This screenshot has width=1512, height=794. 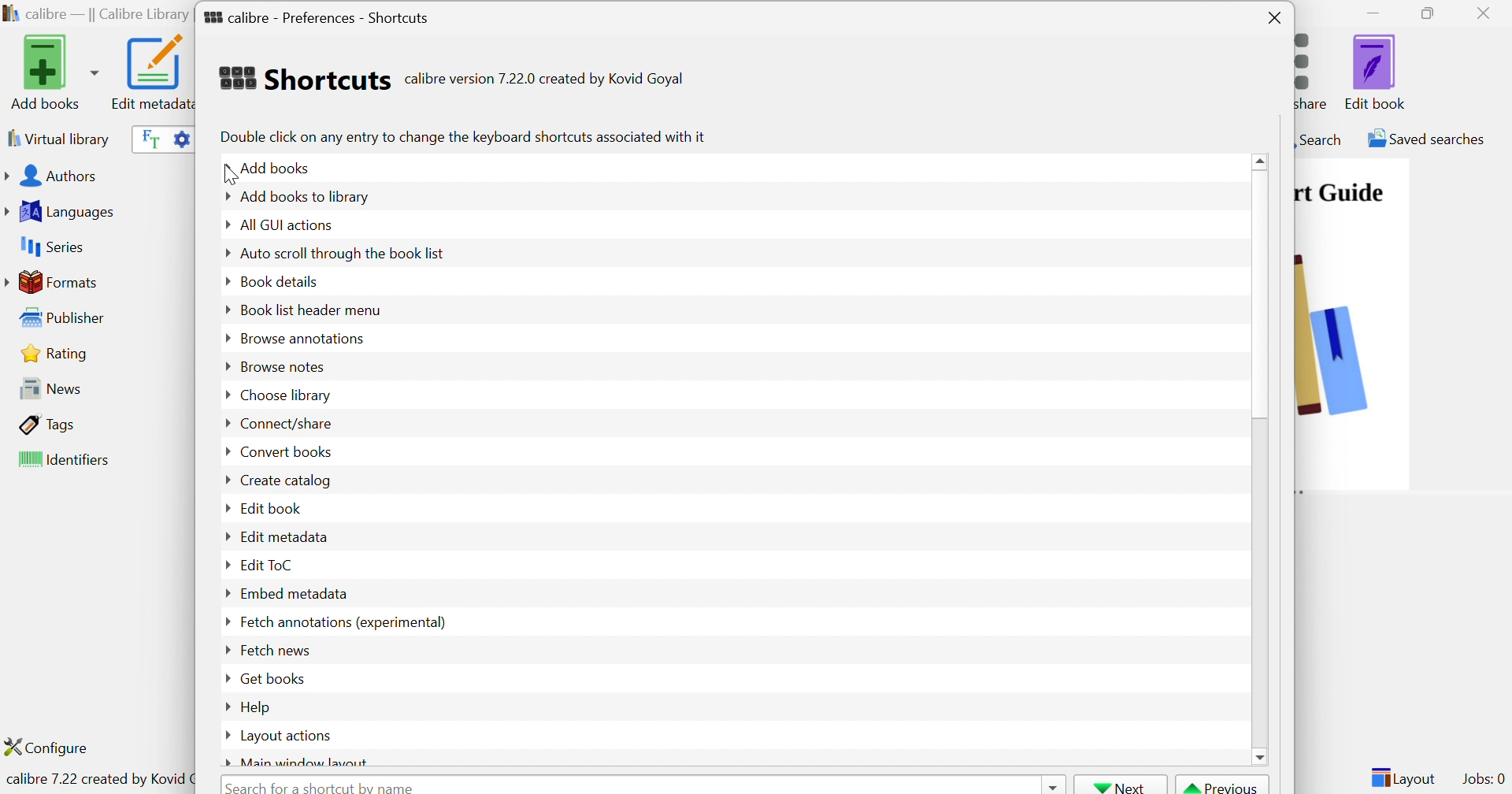 What do you see at coordinates (224, 510) in the screenshot?
I see `Drop Down` at bounding box center [224, 510].